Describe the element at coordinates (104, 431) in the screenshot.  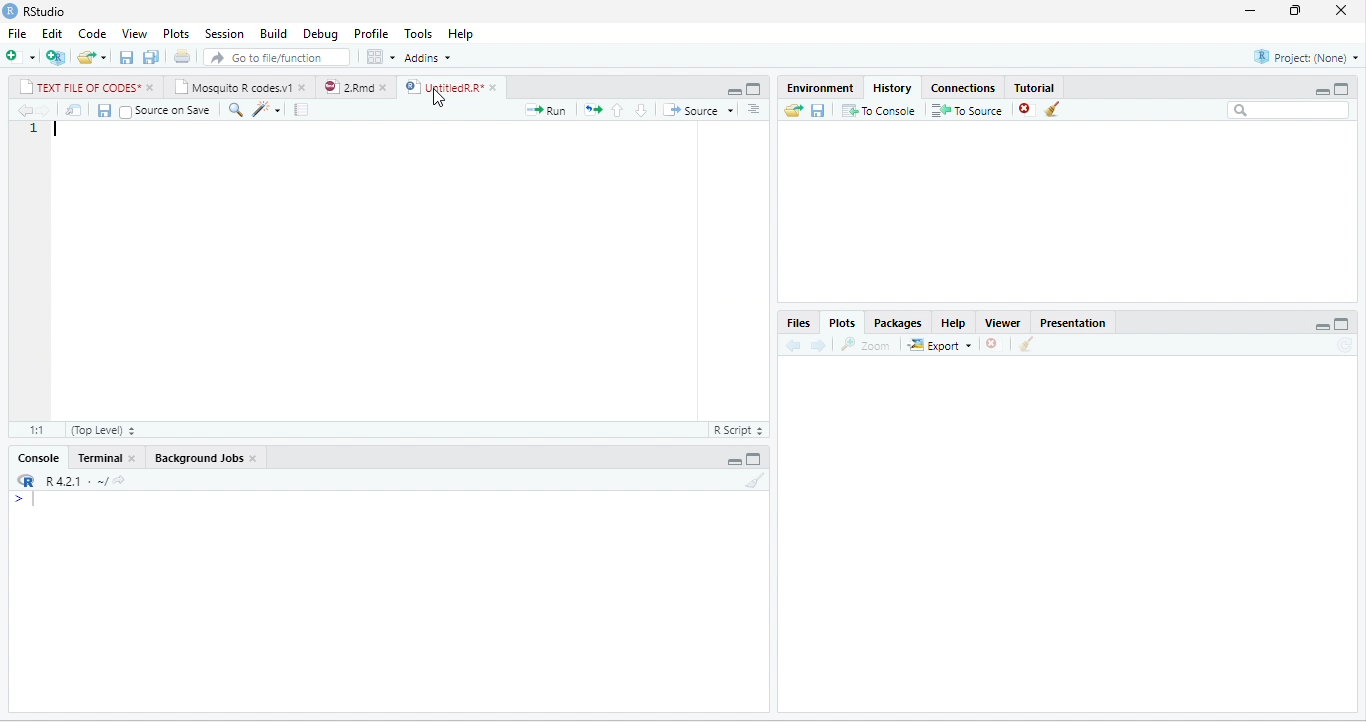
I see `Top Level` at that location.